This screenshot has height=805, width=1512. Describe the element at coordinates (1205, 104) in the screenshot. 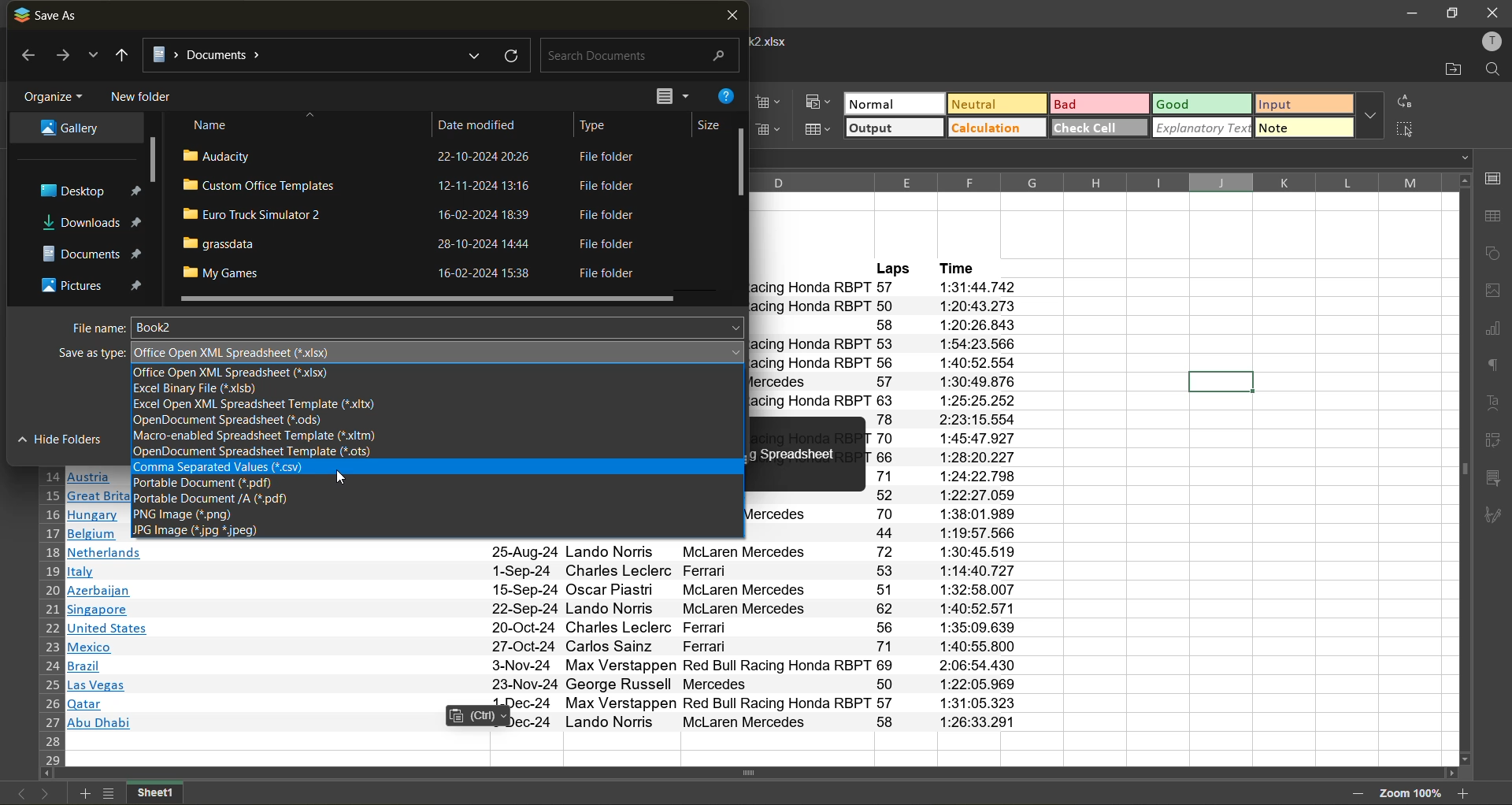

I see `good` at that location.